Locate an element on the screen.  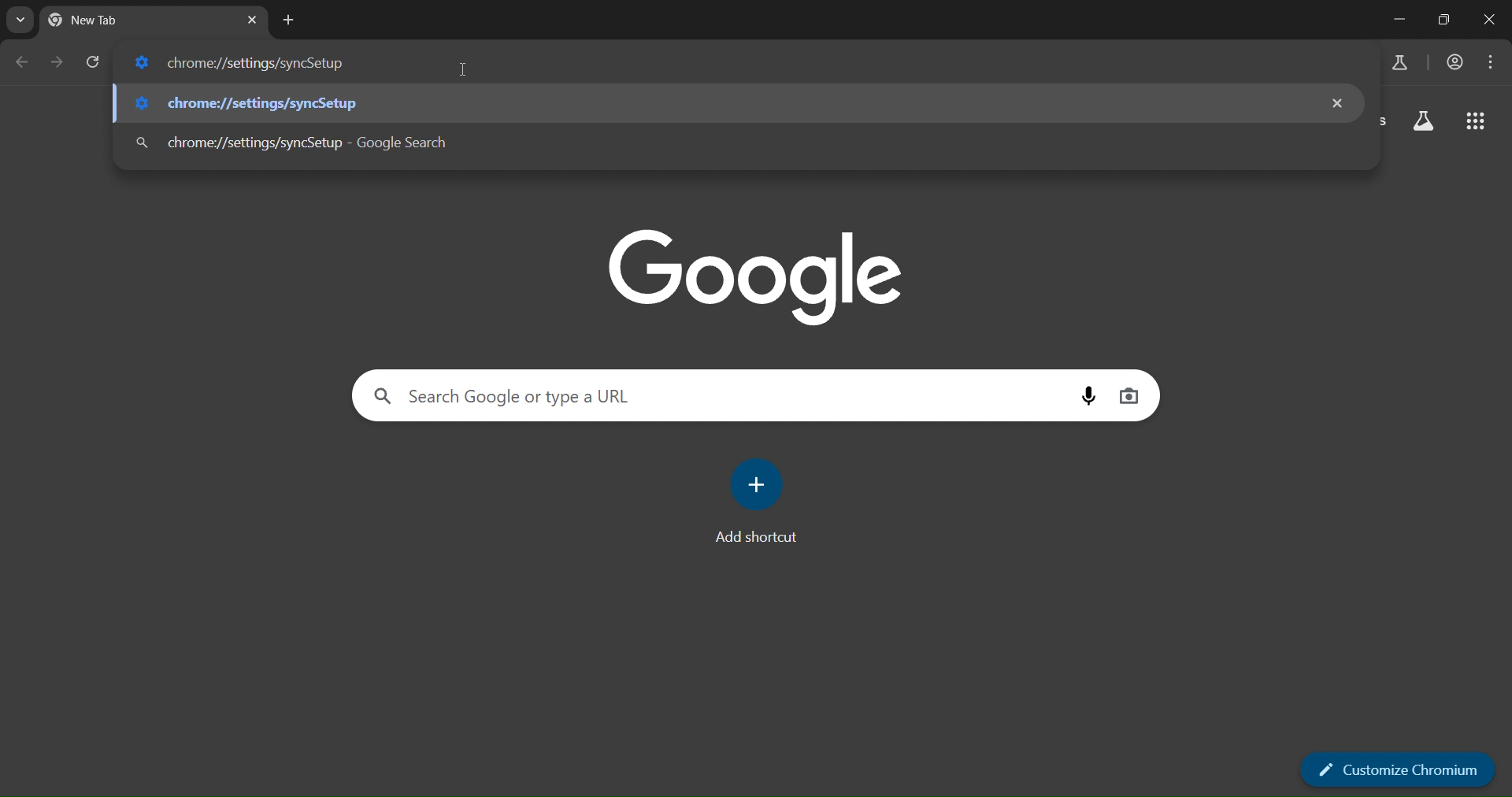
account is located at coordinates (1455, 61).